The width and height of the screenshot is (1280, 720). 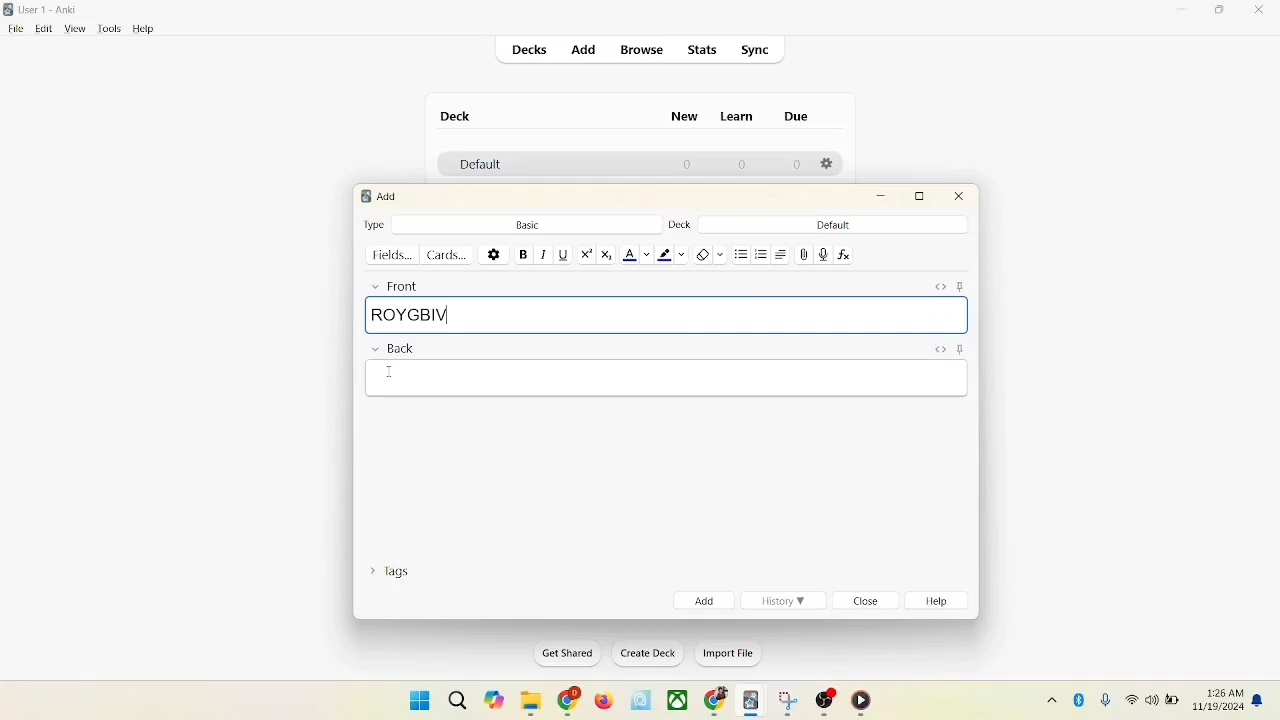 What do you see at coordinates (394, 255) in the screenshot?
I see `fields` at bounding box center [394, 255].